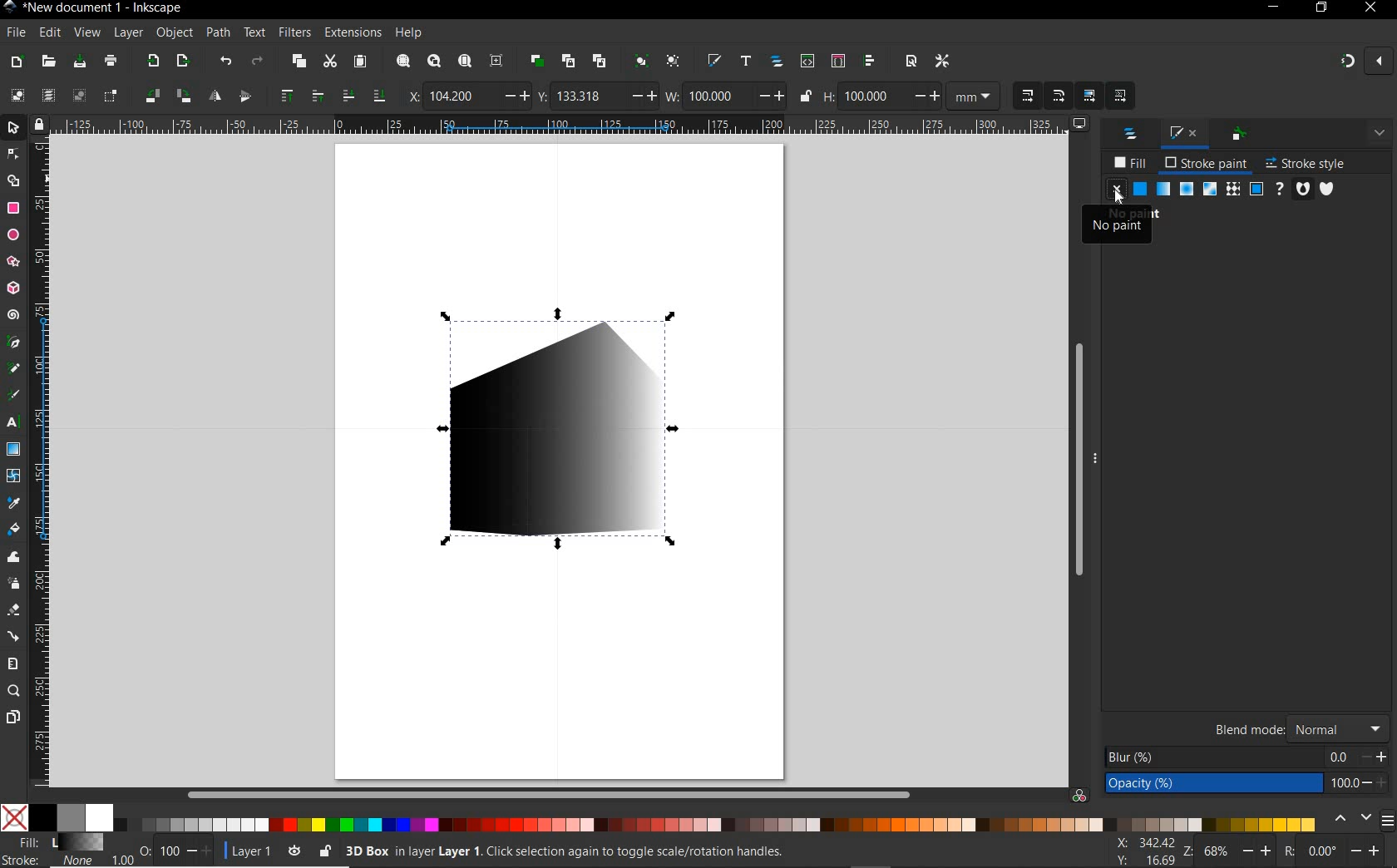 This screenshot has height=868, width=1397. What do you see at coordinates (79, 63) in the screenshot?
I see `SAVE` at bounding box center [79, 63].